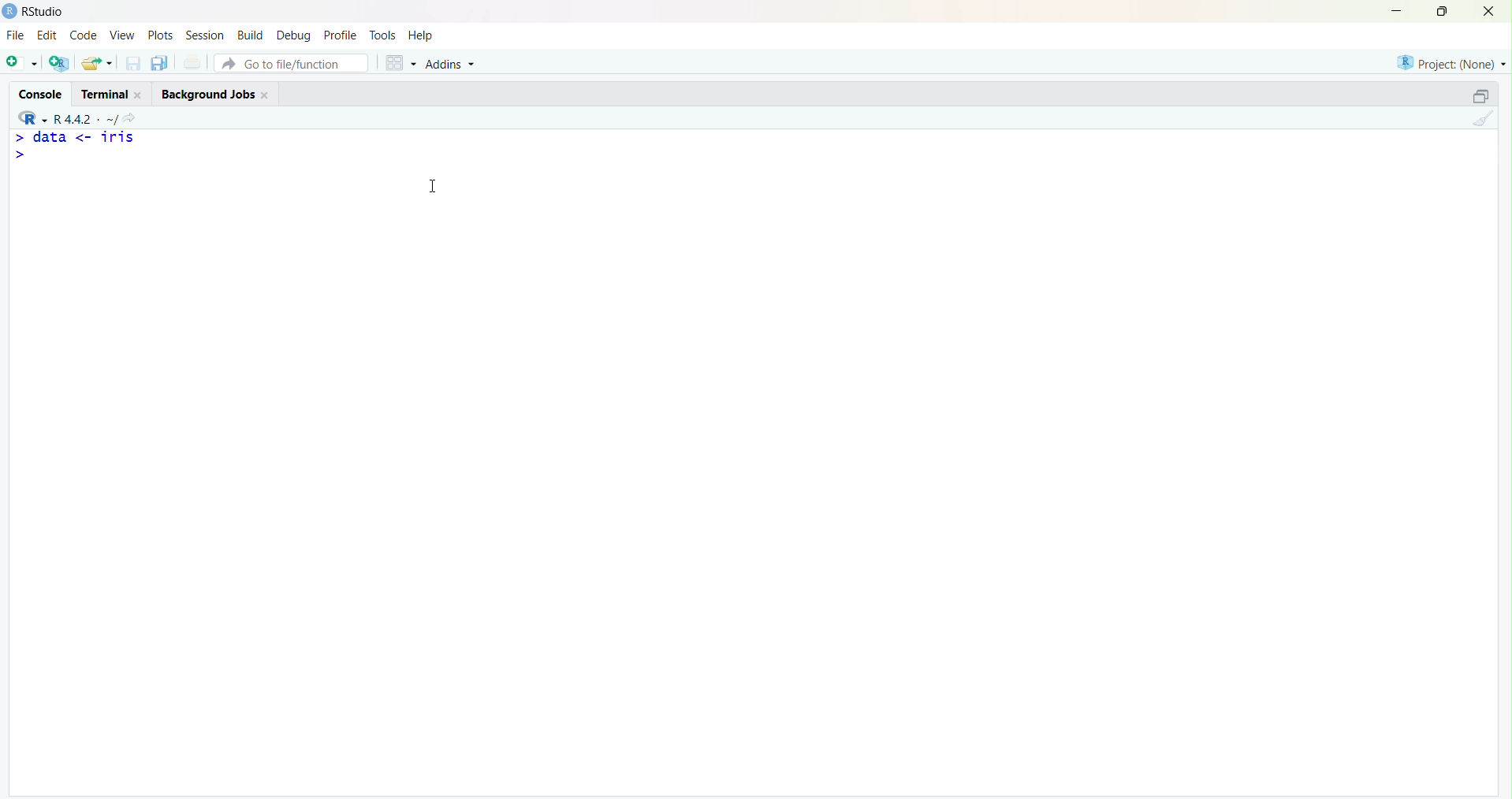  I want to click on View, so click(121, 35).